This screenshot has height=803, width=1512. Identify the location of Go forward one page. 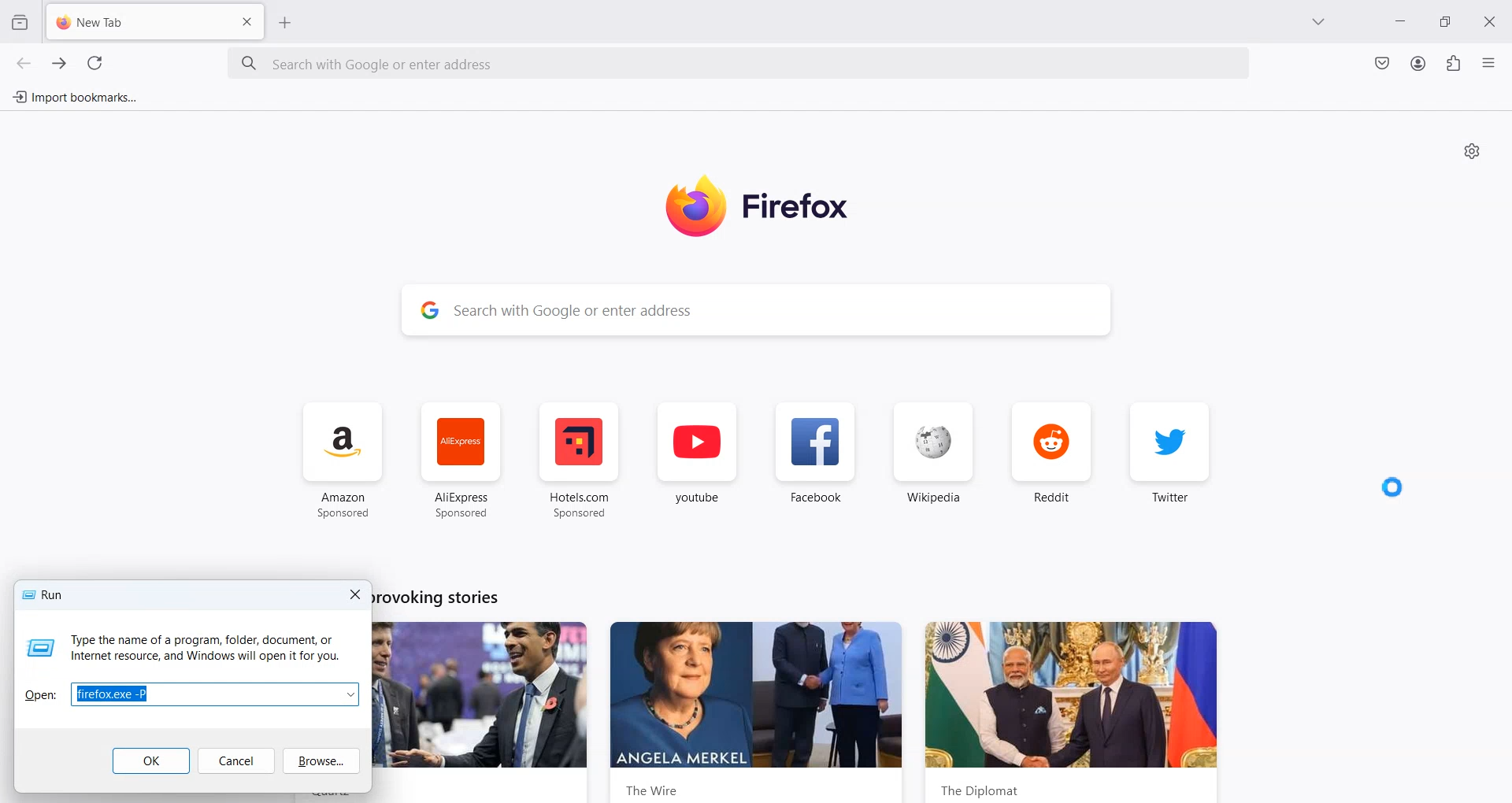
(57, 63).